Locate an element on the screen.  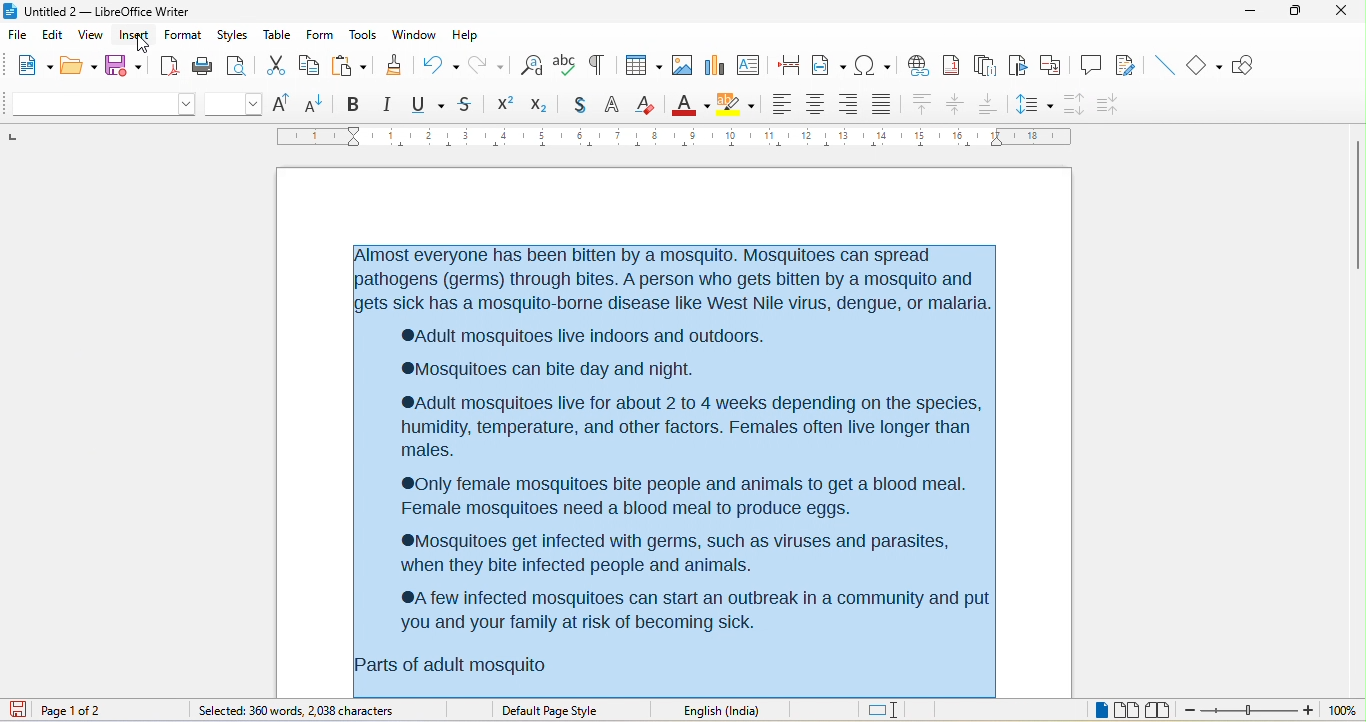
superscript is located at coordinates (506, 104).